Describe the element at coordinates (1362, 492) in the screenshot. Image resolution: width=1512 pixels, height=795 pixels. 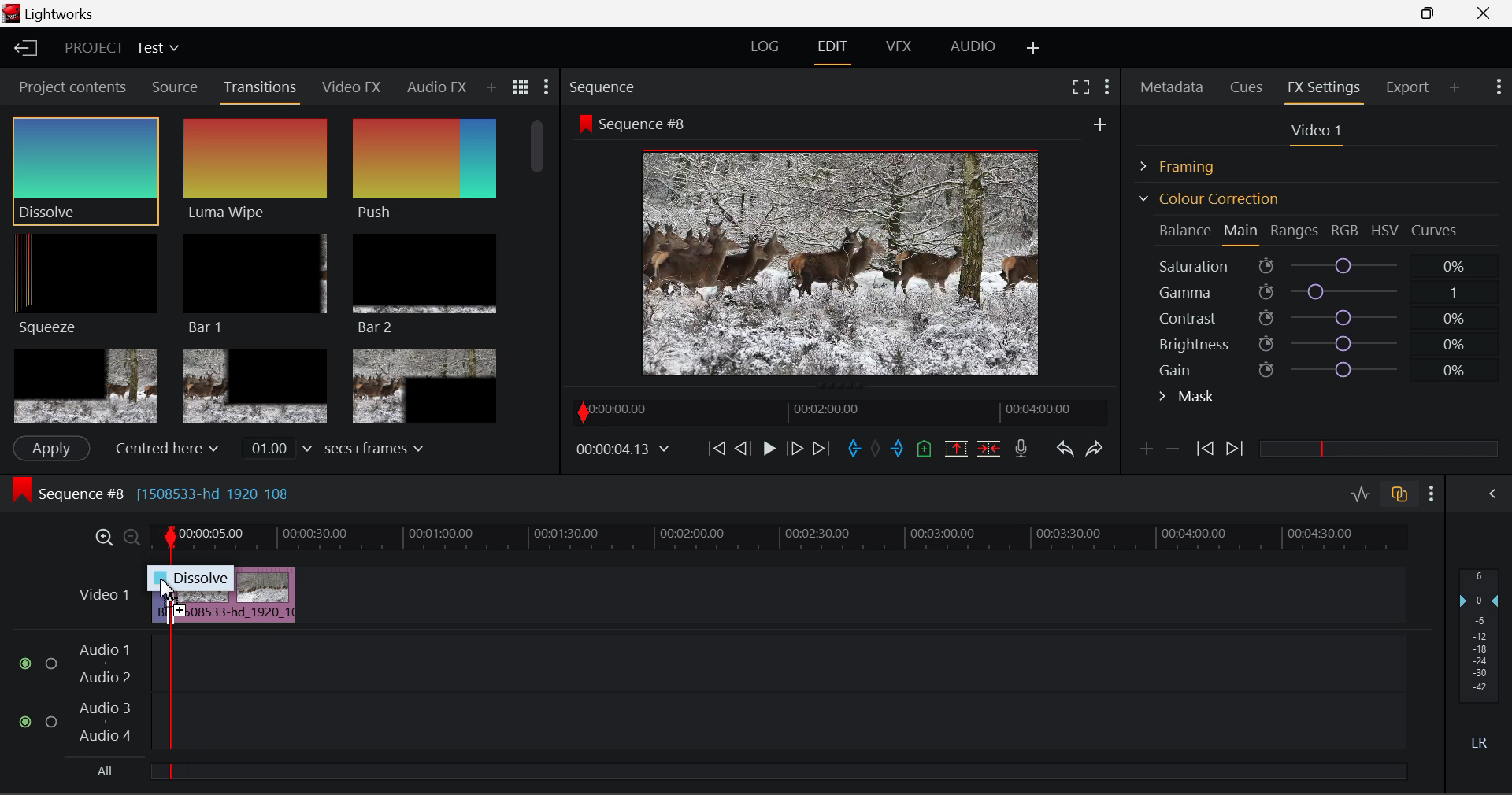
I see `Toggle audio editing levels` at that location.